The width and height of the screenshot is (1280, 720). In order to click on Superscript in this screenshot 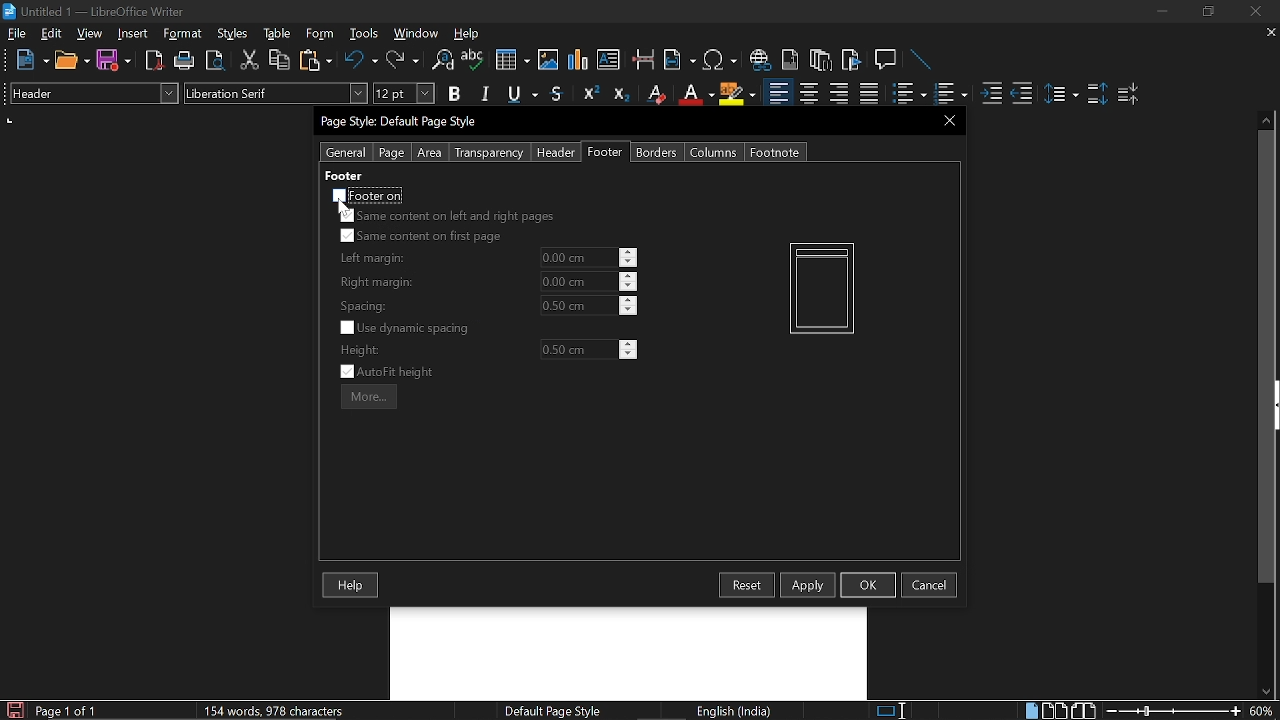, I will do `click(588, 94)`.